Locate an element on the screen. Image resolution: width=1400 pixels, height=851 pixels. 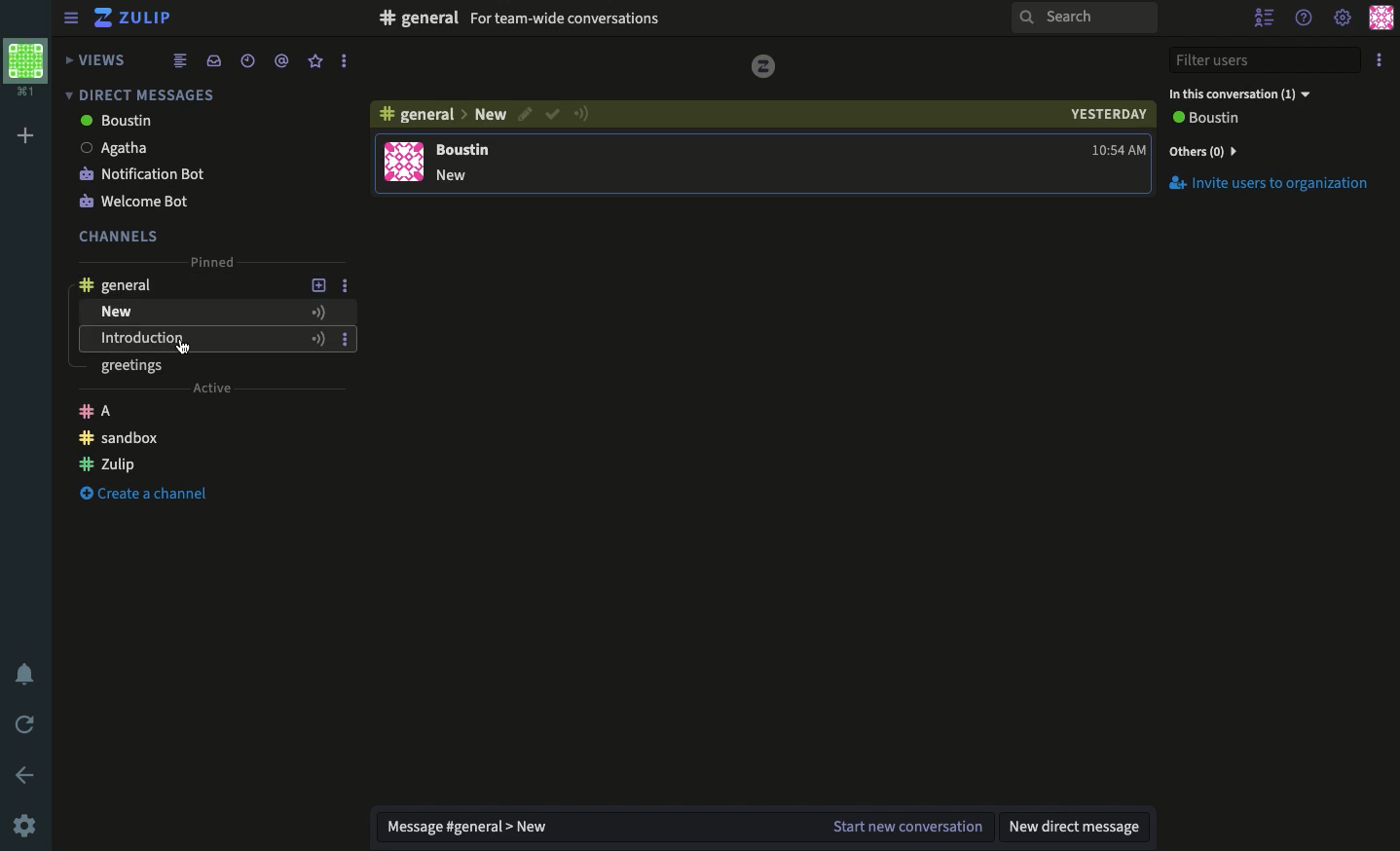
View sidebar is located at coordinates (72, 20).